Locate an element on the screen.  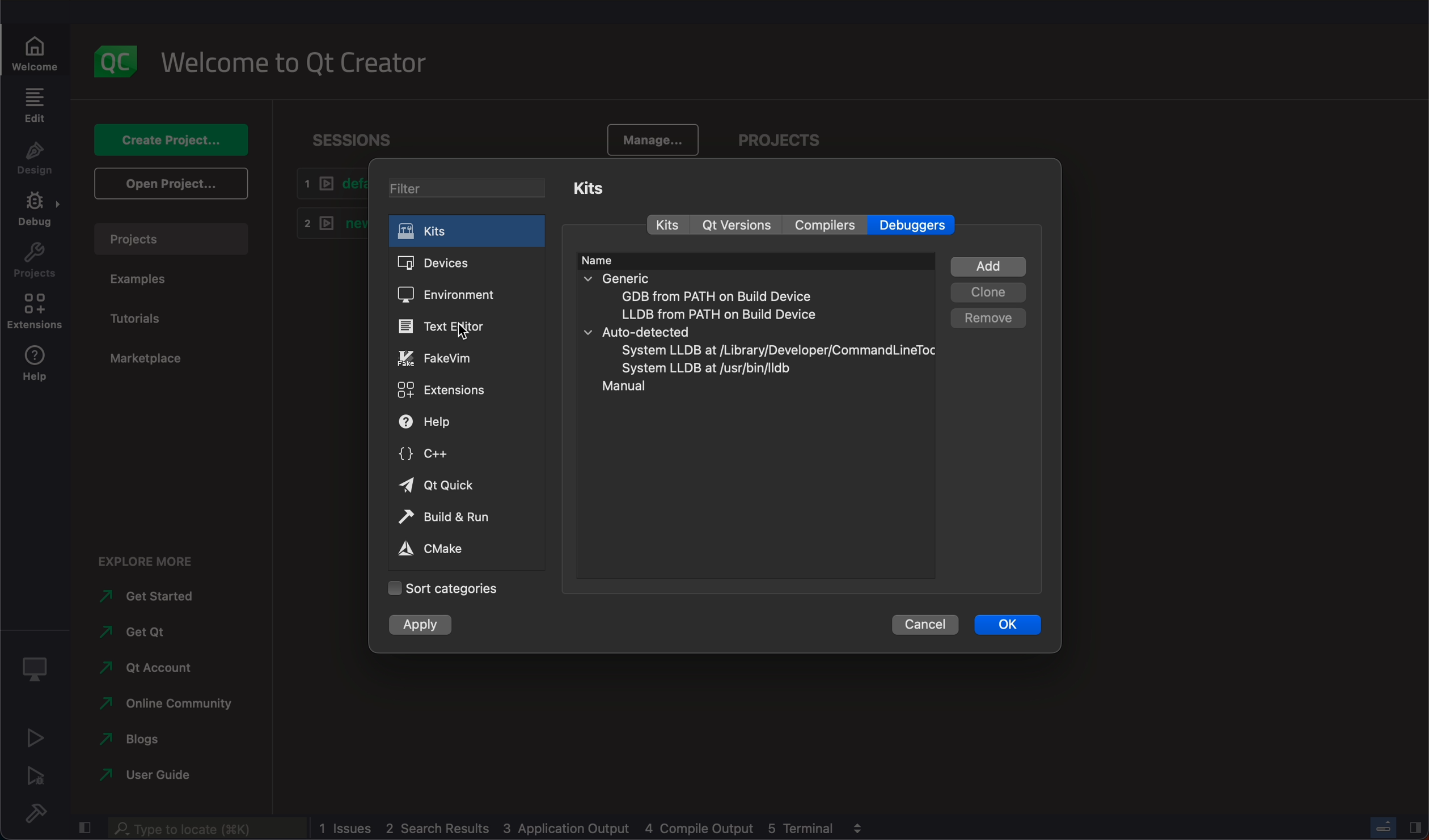
create project is located at coordinates (172, 139).